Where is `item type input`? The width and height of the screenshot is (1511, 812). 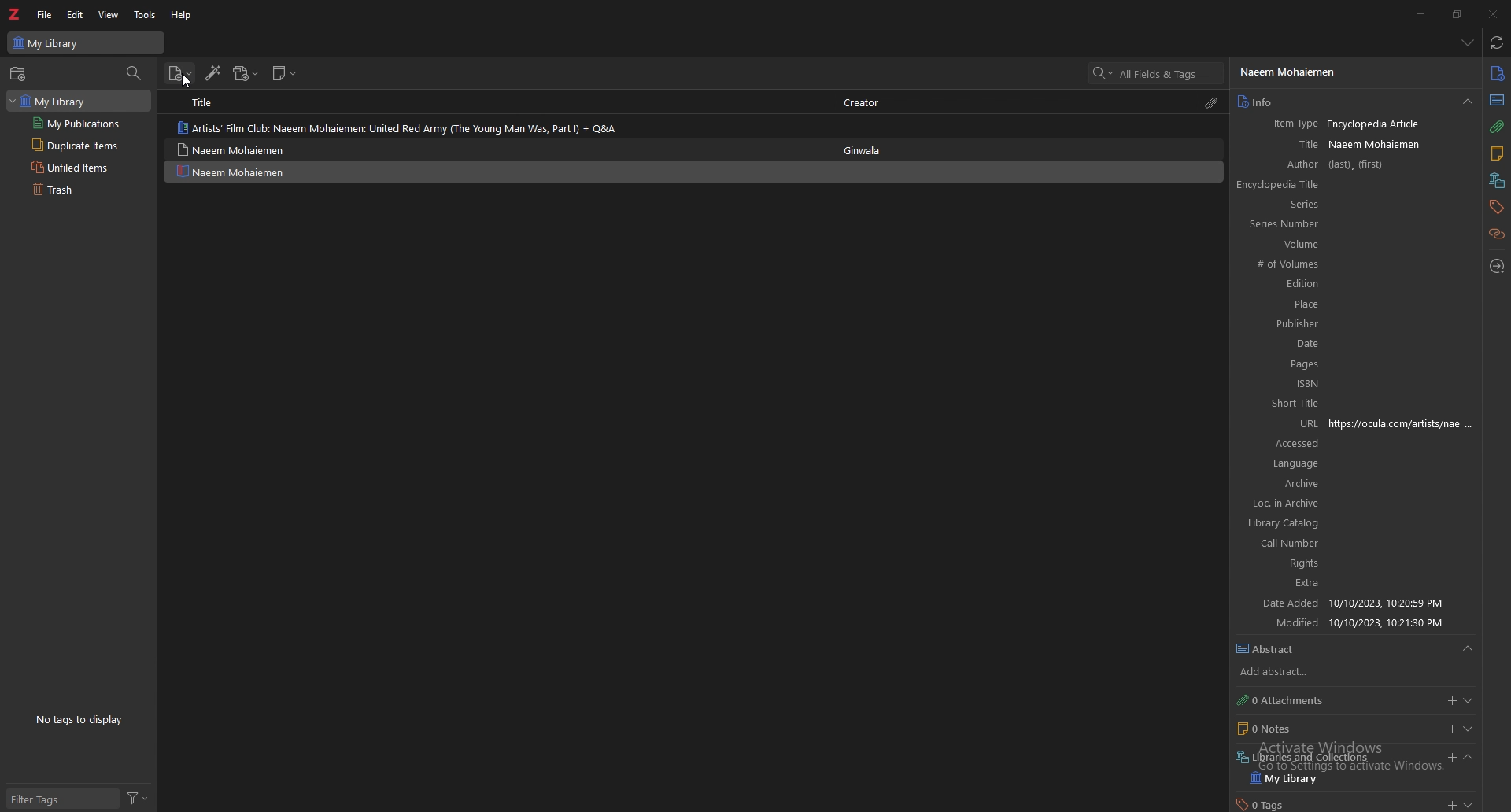 item type input is located at coordinates (1402, 124).